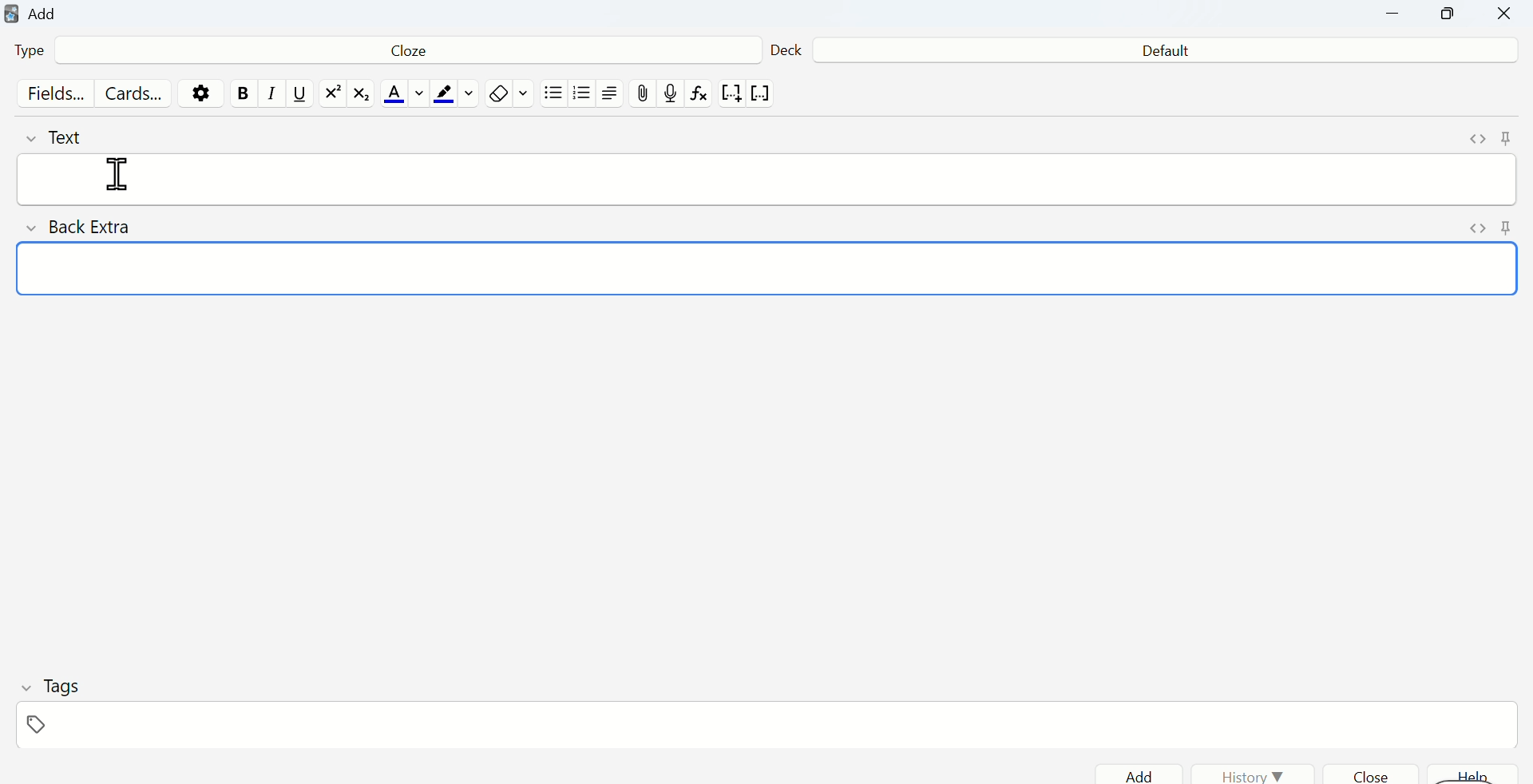 This screenshot has width=1533, height=784. What do you see at coordinates (1379, 772) in the screenshot?
I see `Close` at bounding box center [1379, 772].